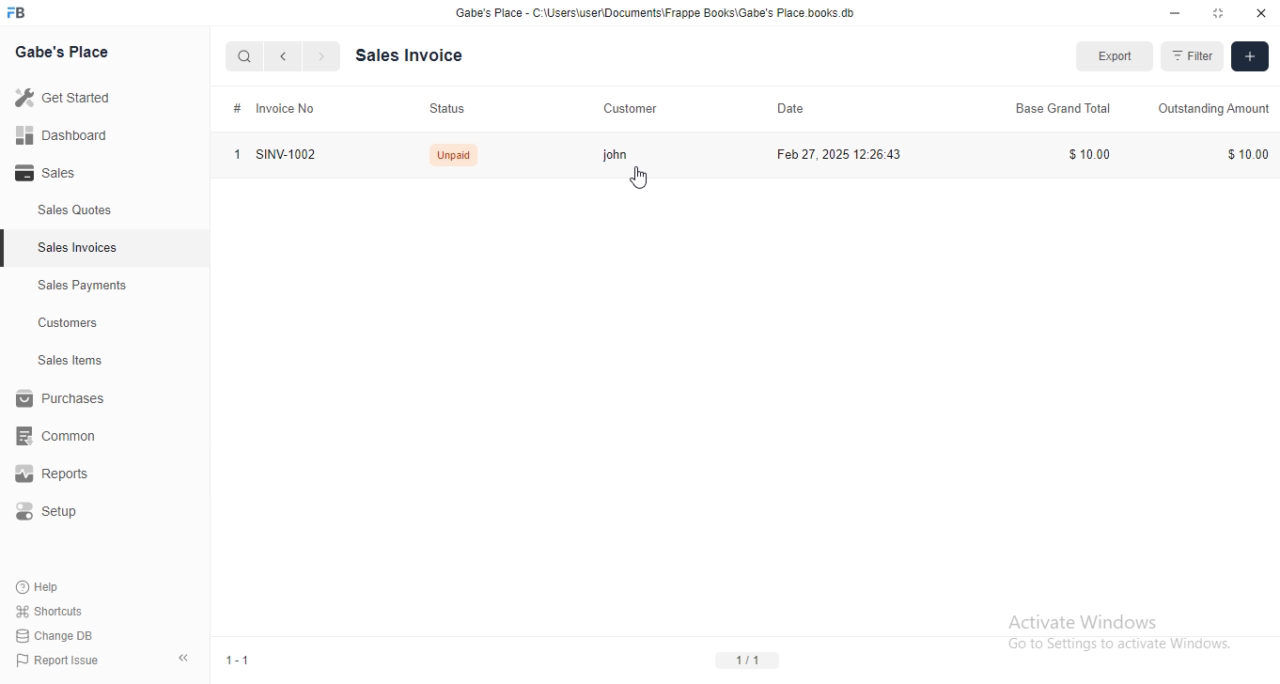  I want to click on cursor, so click(638, 178).